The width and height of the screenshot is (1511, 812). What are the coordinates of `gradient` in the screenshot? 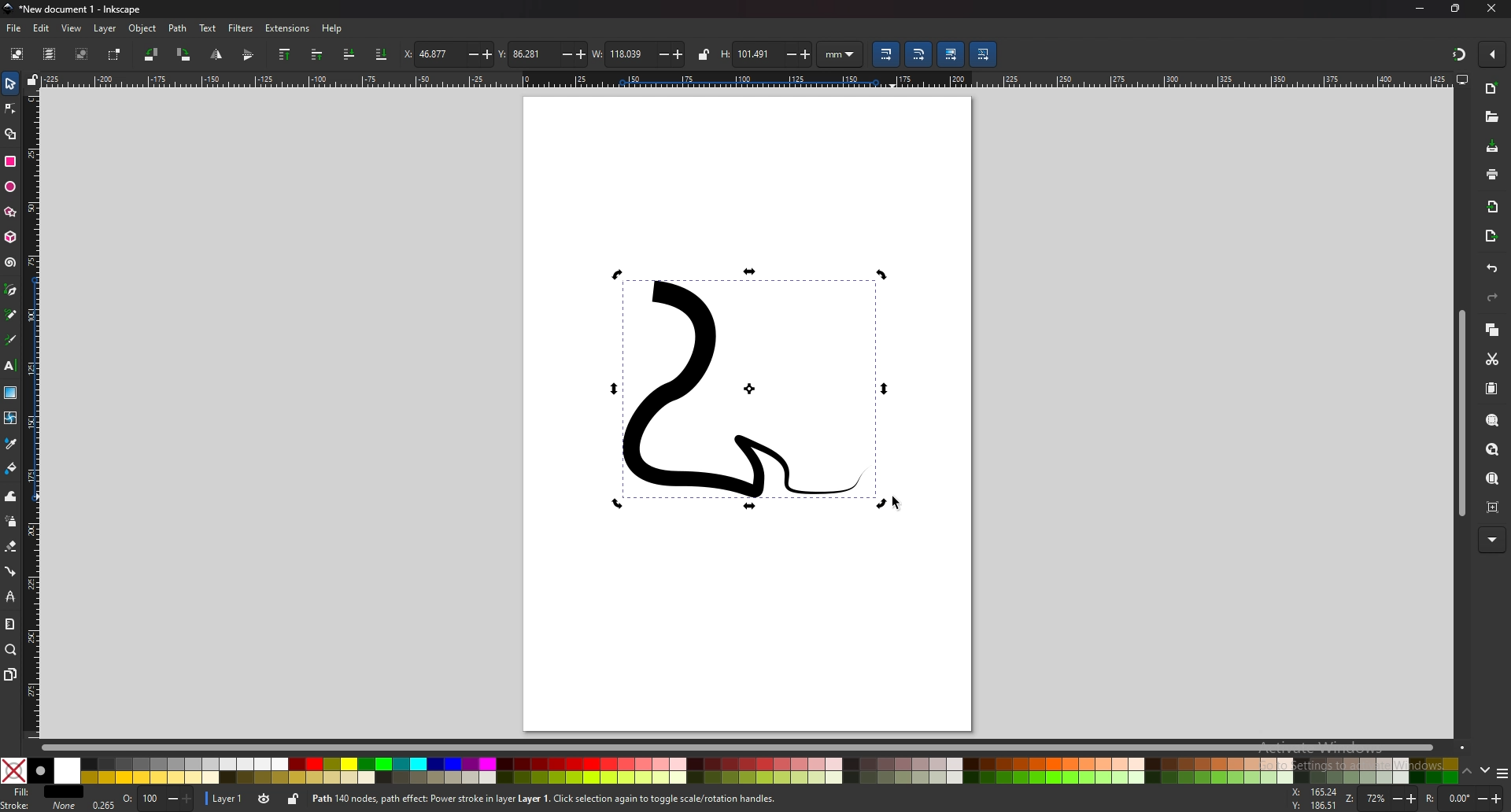 It's located at (11, 392).